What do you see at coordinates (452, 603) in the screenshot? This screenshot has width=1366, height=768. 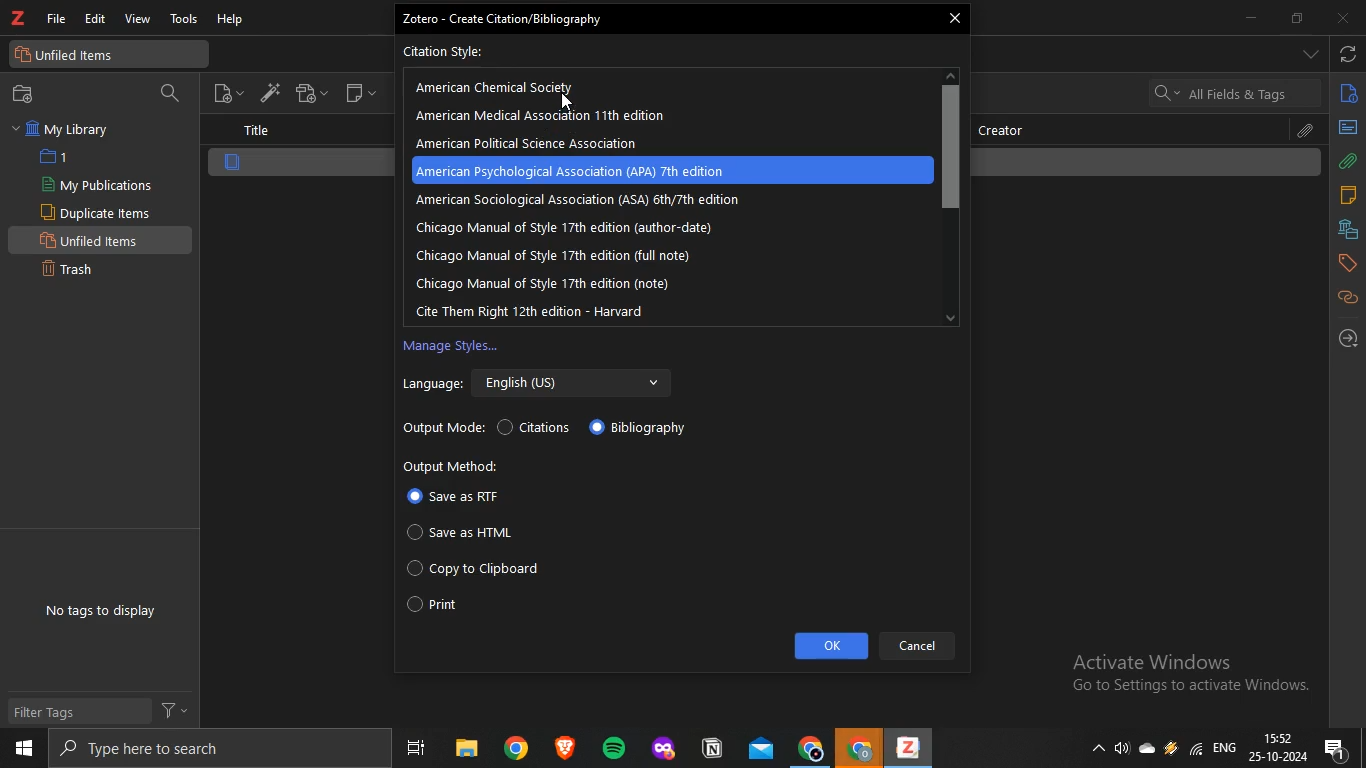 I see `Print` at bounding box center [452, 603].